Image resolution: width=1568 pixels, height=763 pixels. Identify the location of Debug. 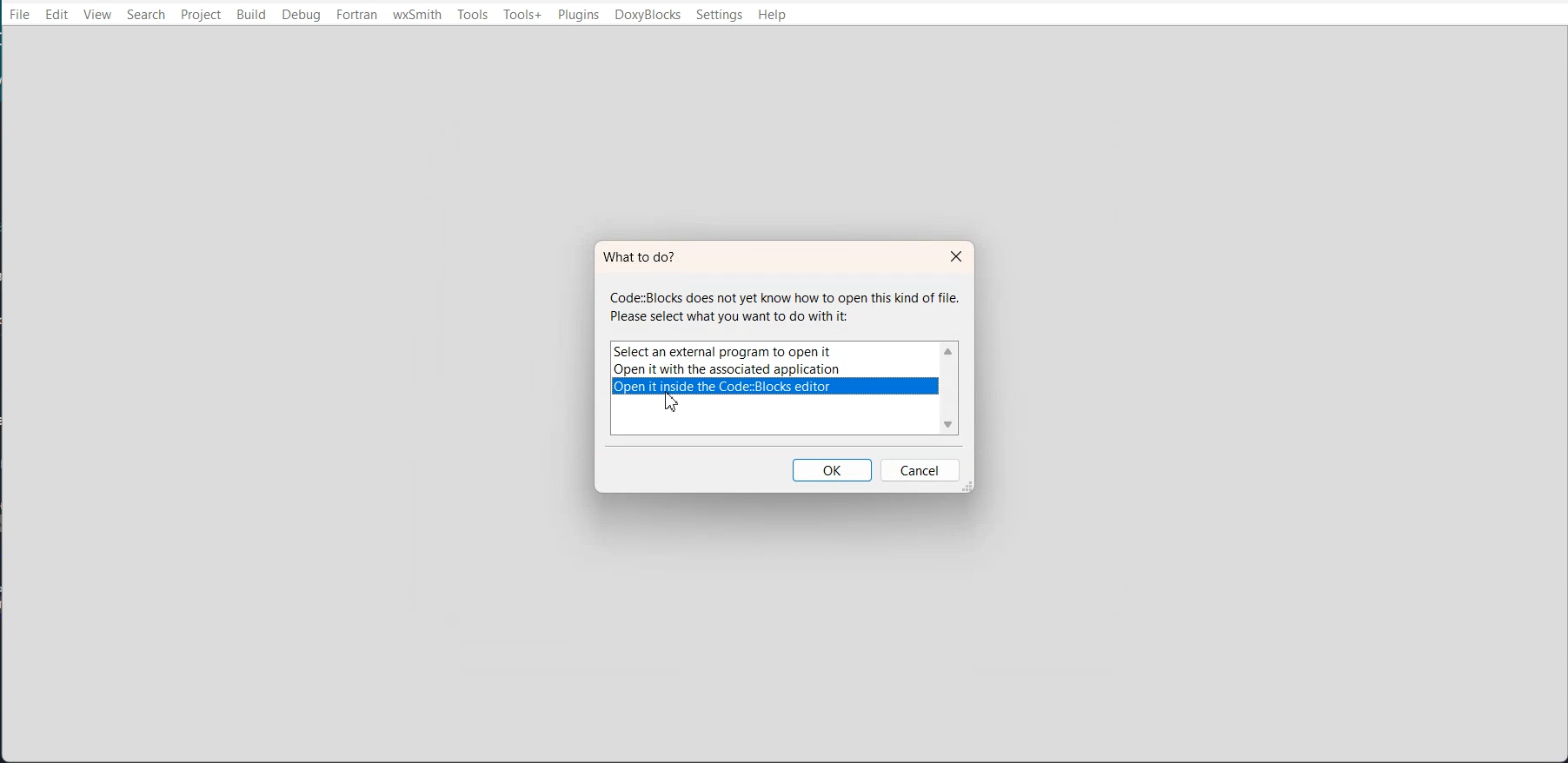
(301, 15).